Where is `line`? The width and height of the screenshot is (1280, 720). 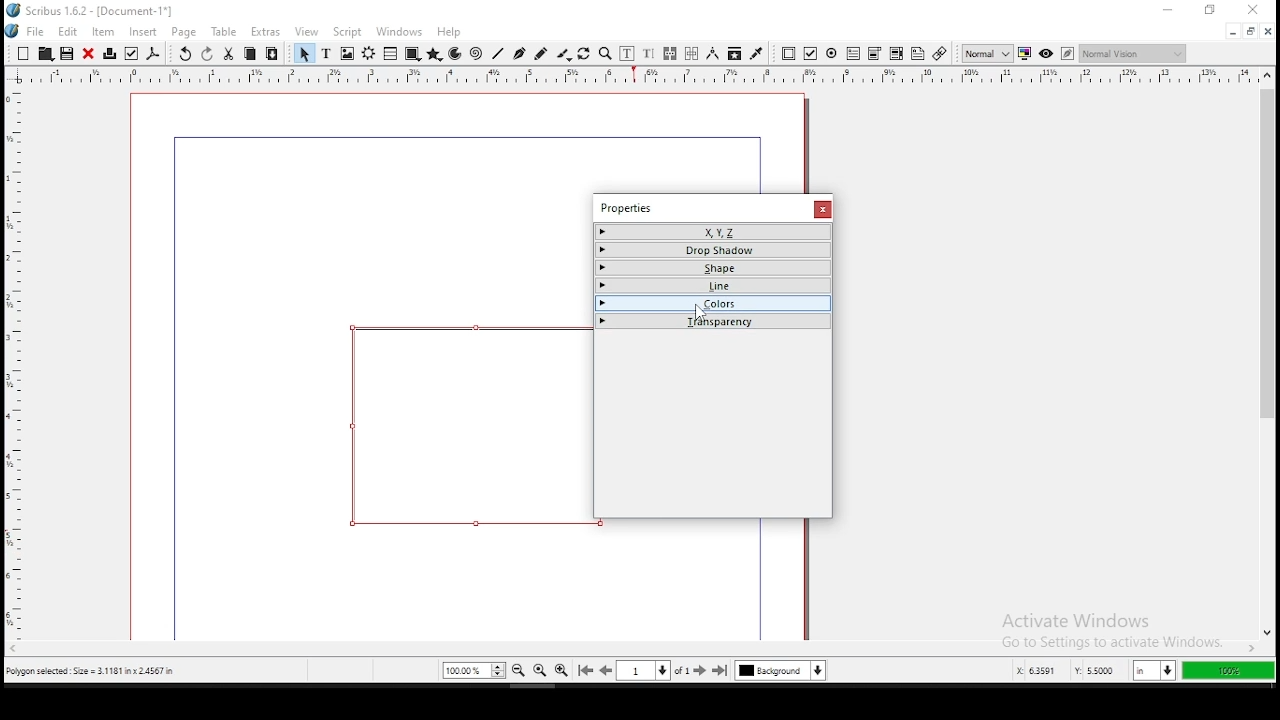 line is located at coordinates (498, 54).